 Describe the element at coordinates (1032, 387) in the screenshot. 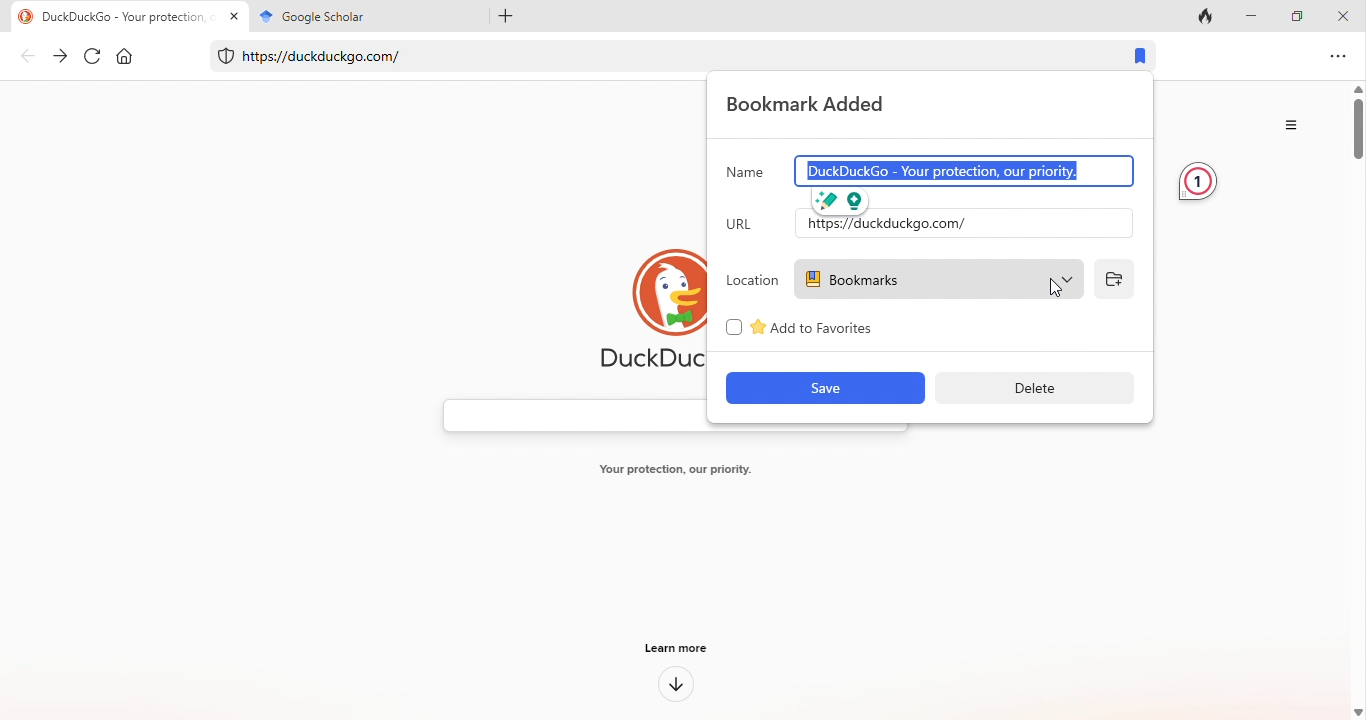

I see `delete` at that location.